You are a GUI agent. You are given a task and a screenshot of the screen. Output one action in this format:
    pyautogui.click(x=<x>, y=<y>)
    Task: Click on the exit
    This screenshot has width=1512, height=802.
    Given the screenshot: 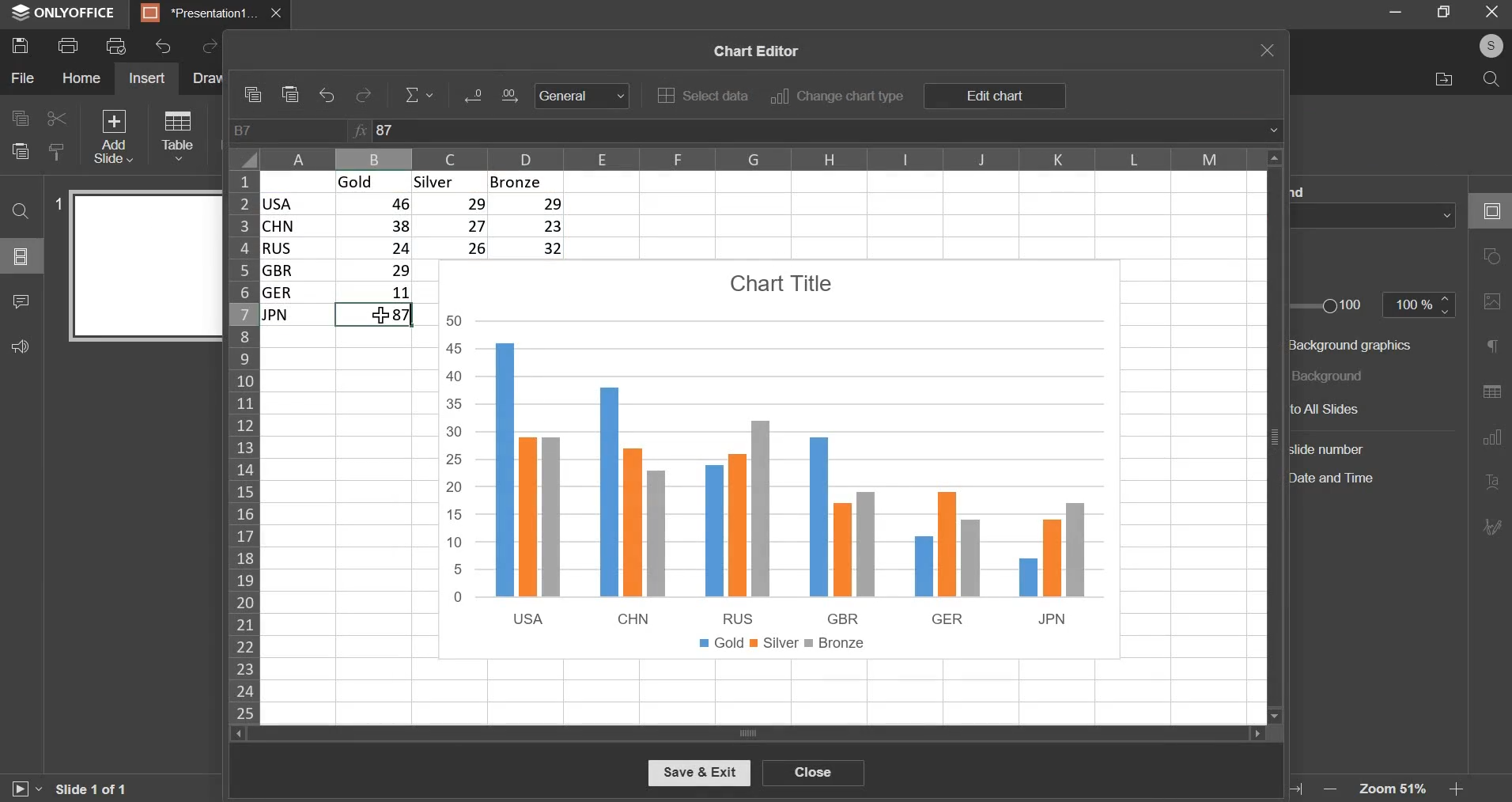 What is the action you would take?
    pyautogui.click(x=1491, y=11)
    